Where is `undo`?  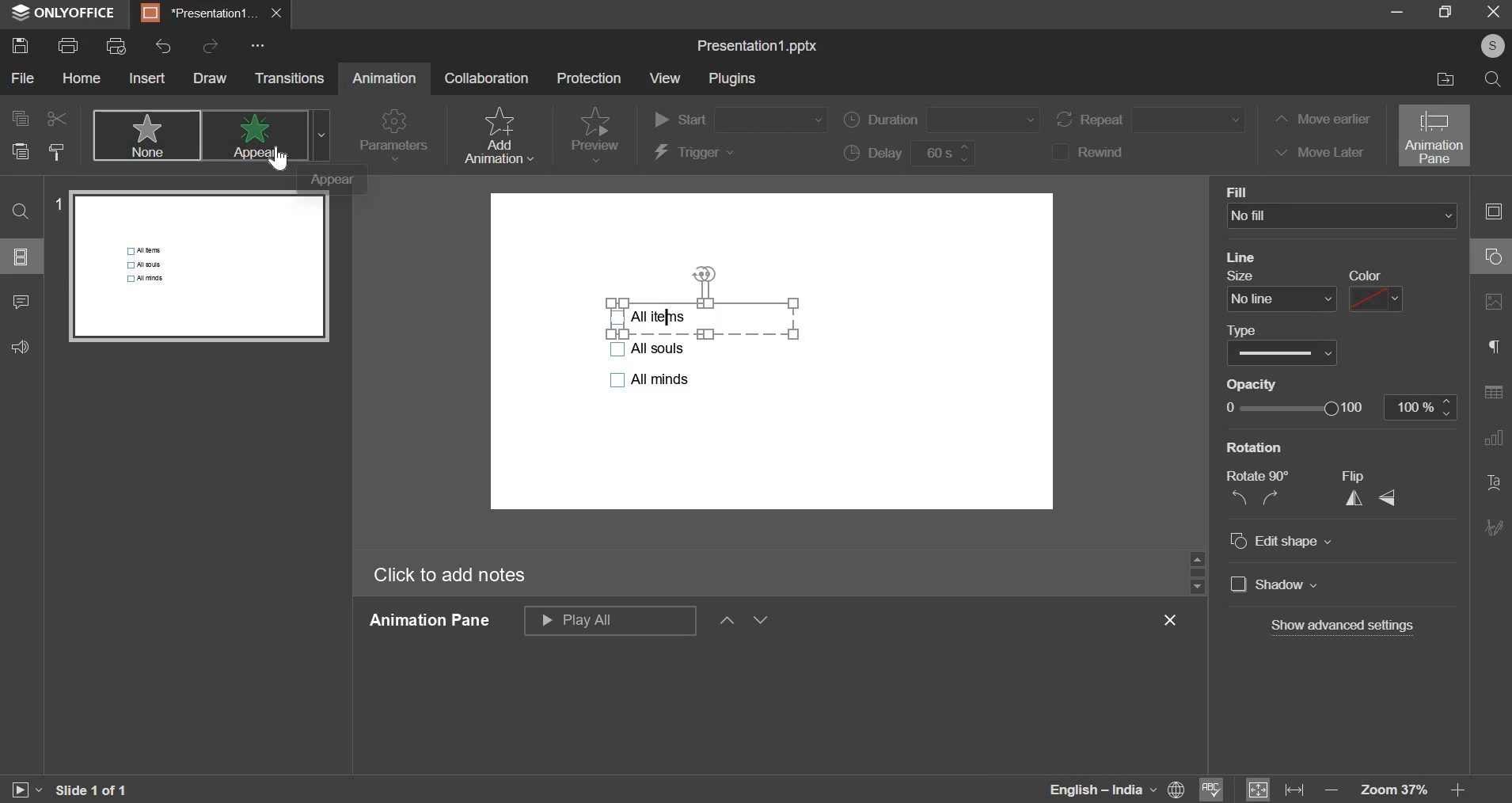
undo is located at coordinates (163, 47).